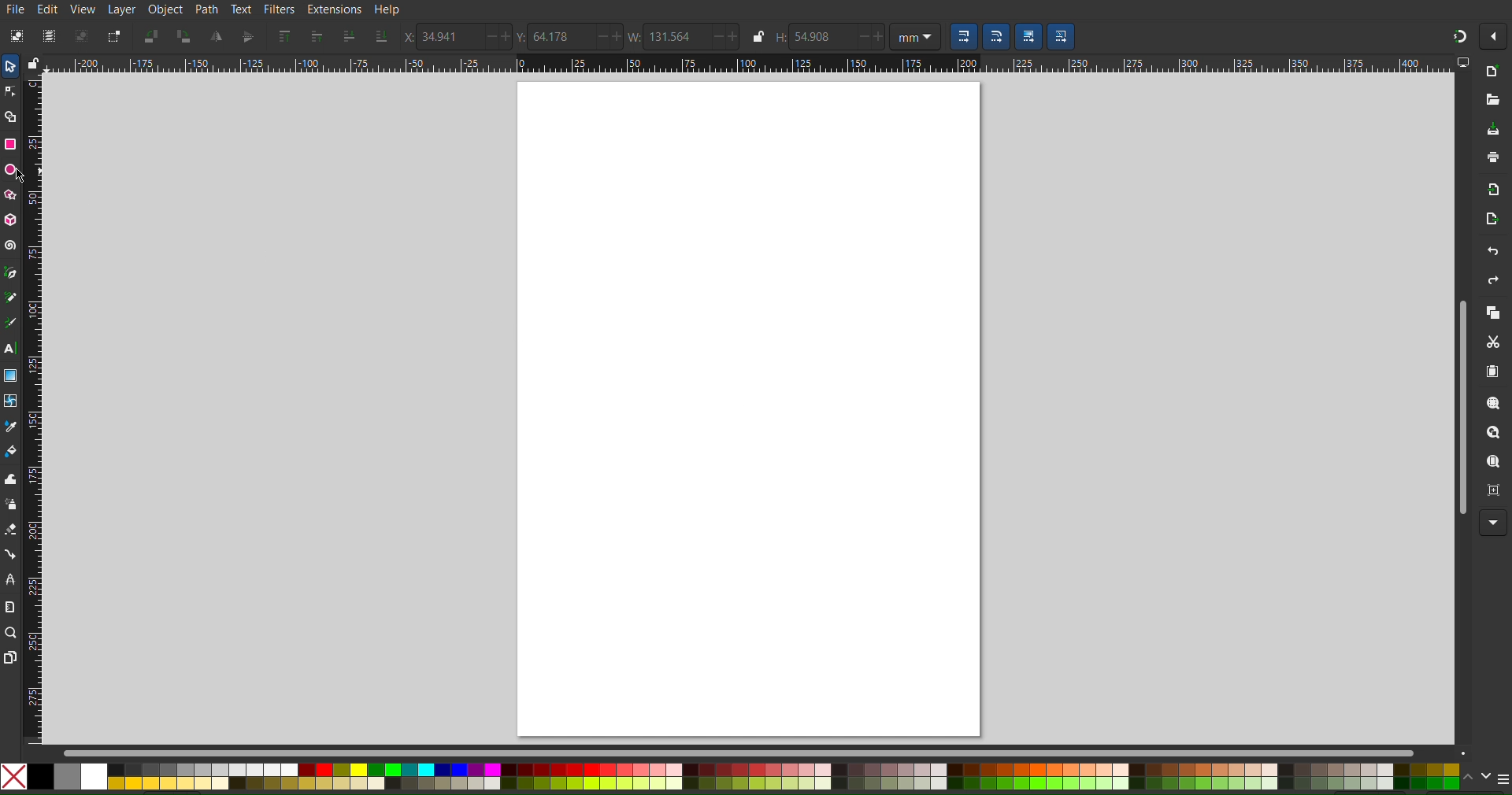 The width and height of the screenshot is (1512, 795). Describe the element at coordinates (206, 9) in the screenshot. I see `Path` at that location.